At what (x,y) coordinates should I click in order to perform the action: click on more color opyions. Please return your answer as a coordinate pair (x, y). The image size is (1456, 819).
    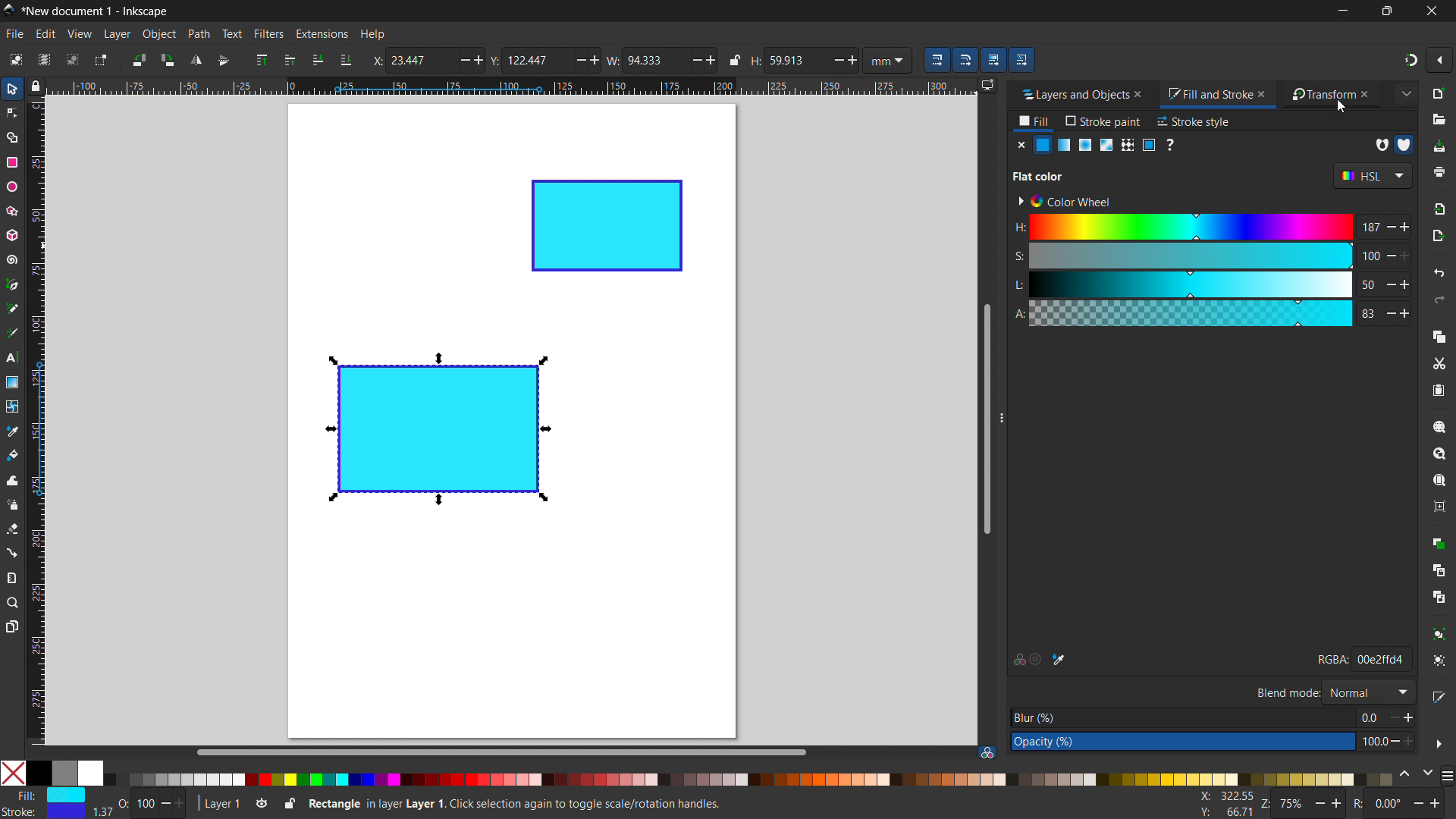
    Looking at the image, I should click on (1447, 774).